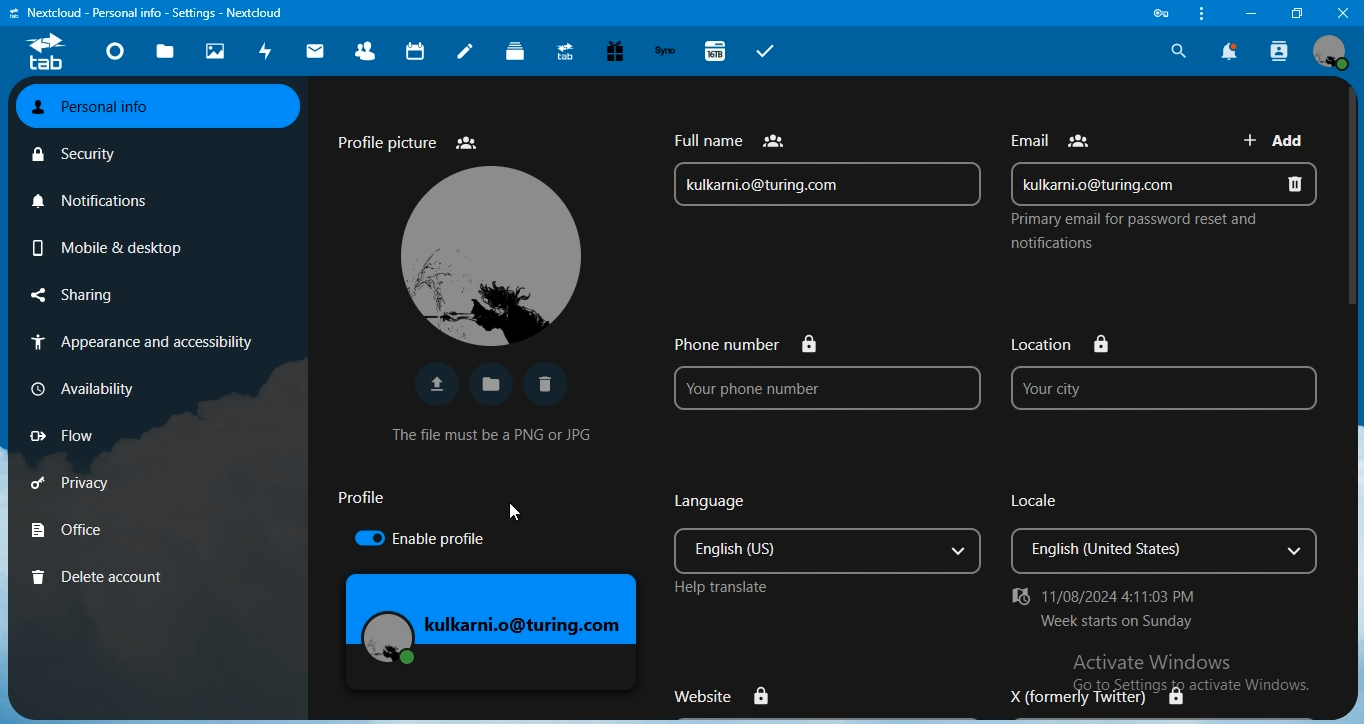 The width and height of the screenshot is (1364, 724). What do you see at coordinates (1160, 373) in the screenshot?
I see `location` at bounding box center [1160, 373].